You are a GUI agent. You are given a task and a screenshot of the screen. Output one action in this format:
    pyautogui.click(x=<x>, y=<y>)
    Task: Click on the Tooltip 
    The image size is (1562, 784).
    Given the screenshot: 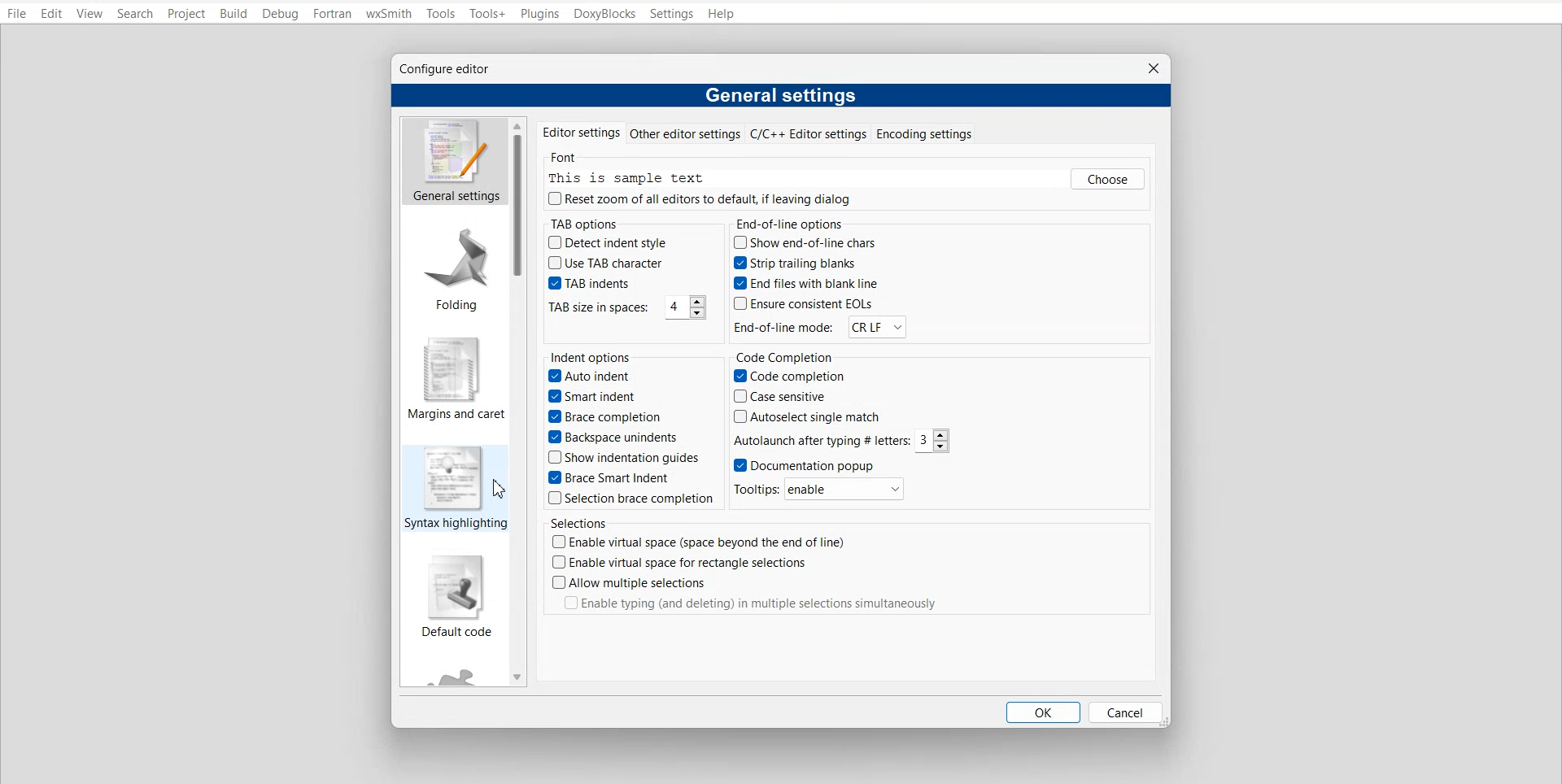 What is the action you would take?
    pyautogui.click(x=820, y=490)
    